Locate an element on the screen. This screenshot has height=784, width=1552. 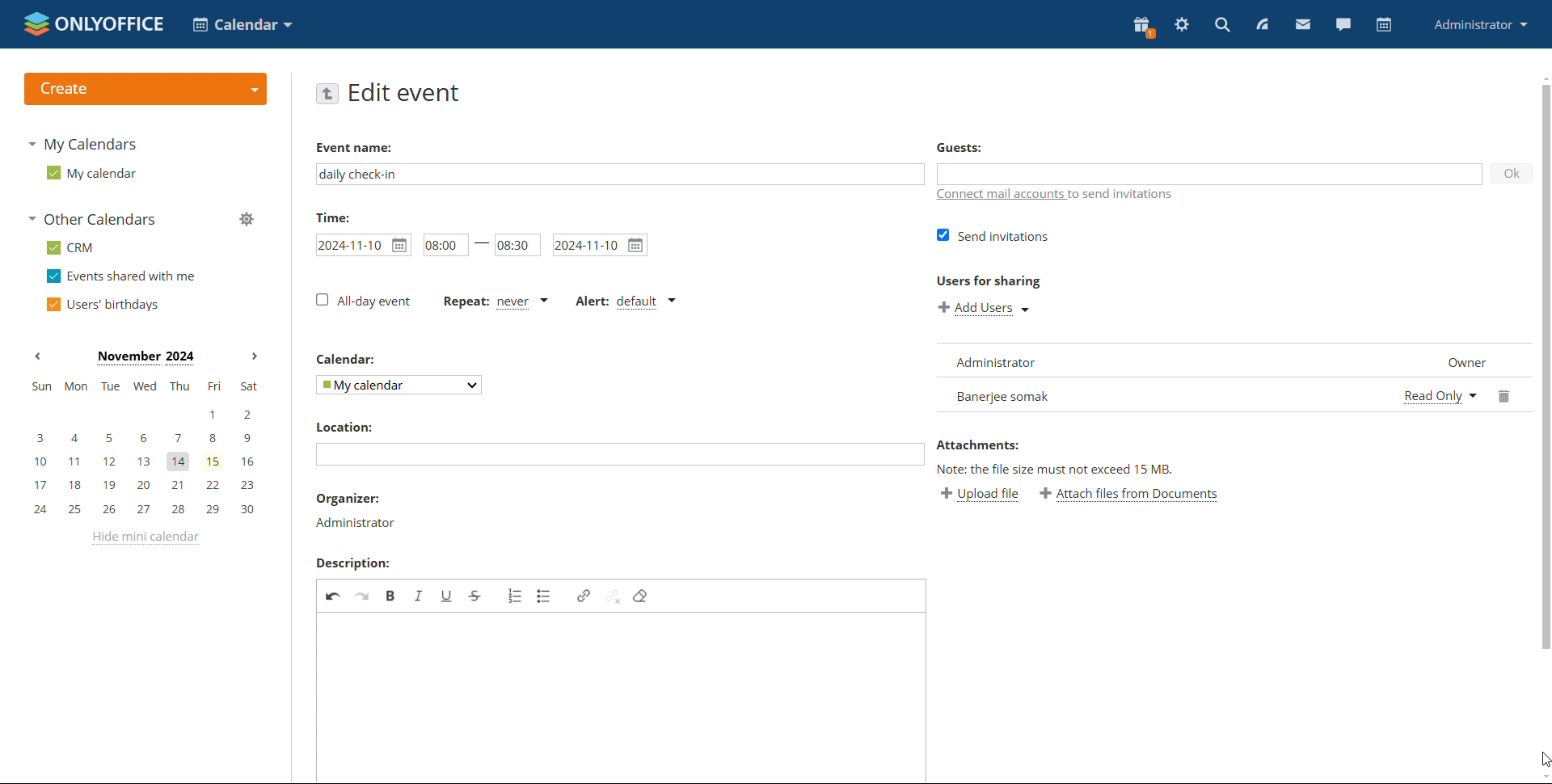
user for sharing: is located at coordinates (1014, 281).